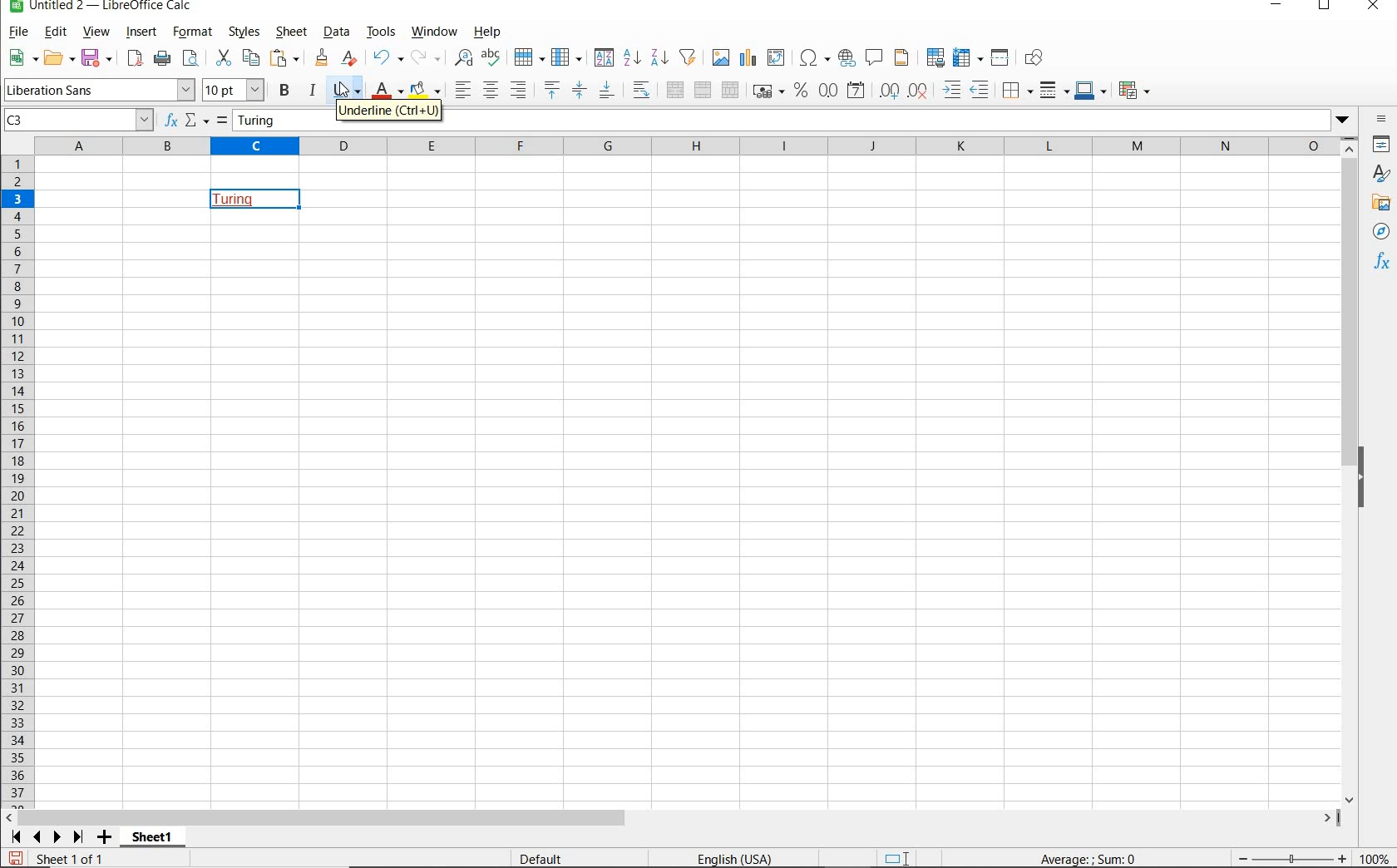 This screenshot has width=1397, height=868. I want to click on BORDERS, so click(1017, 91).